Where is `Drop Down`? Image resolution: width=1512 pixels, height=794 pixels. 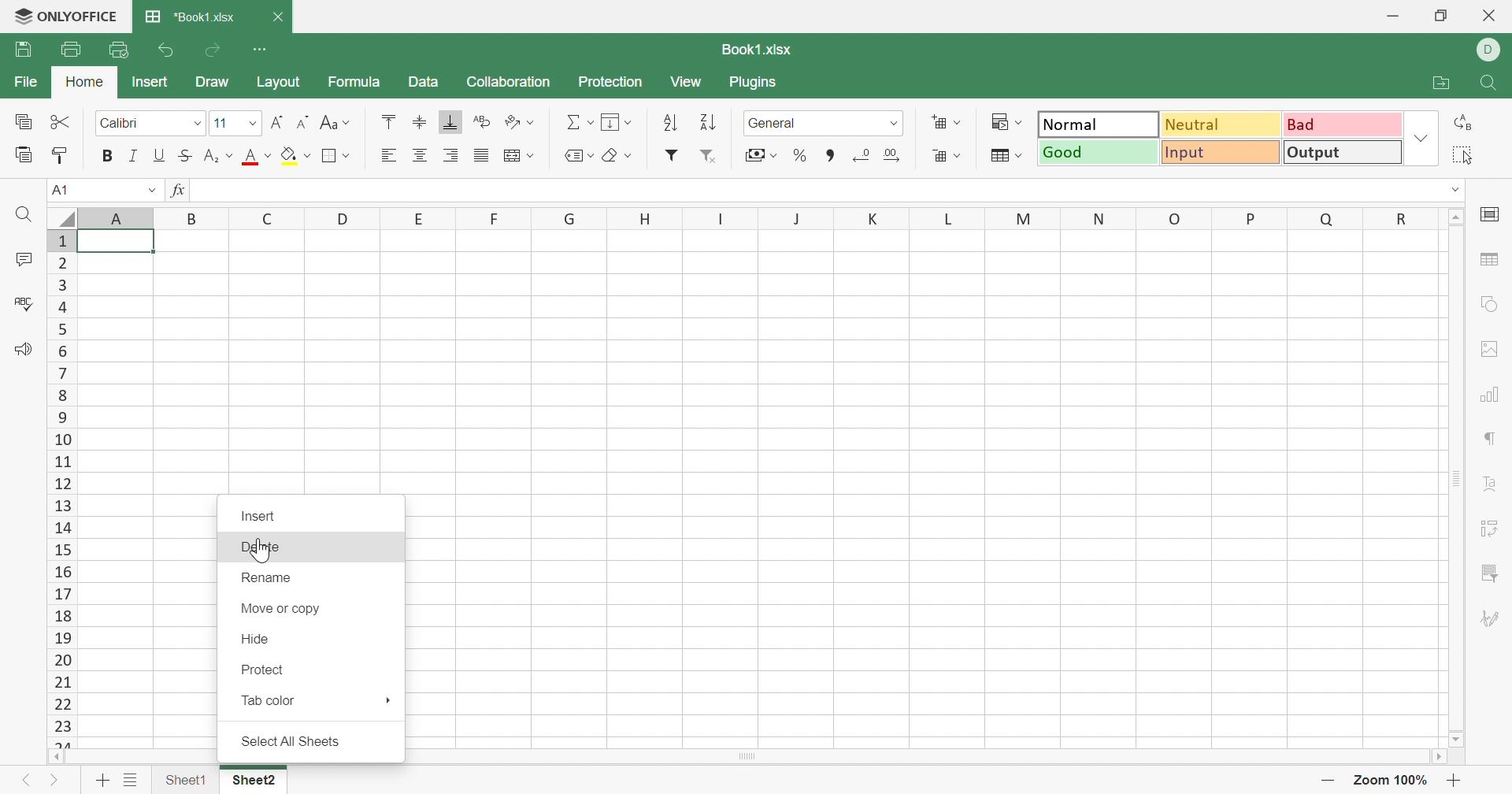 Drop Down is located at coordinates (349, 124).